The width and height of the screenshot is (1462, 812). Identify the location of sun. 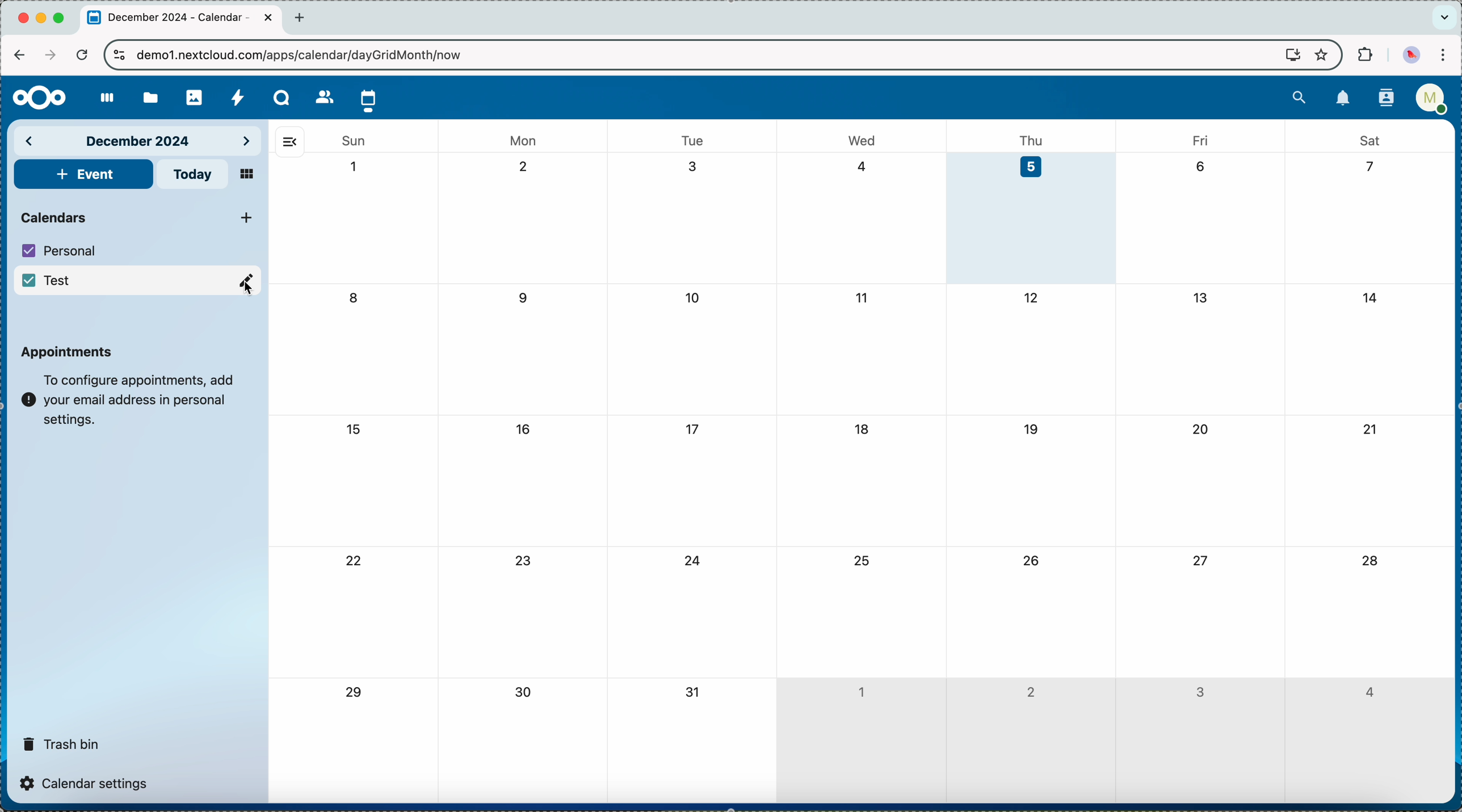
(352, 141).